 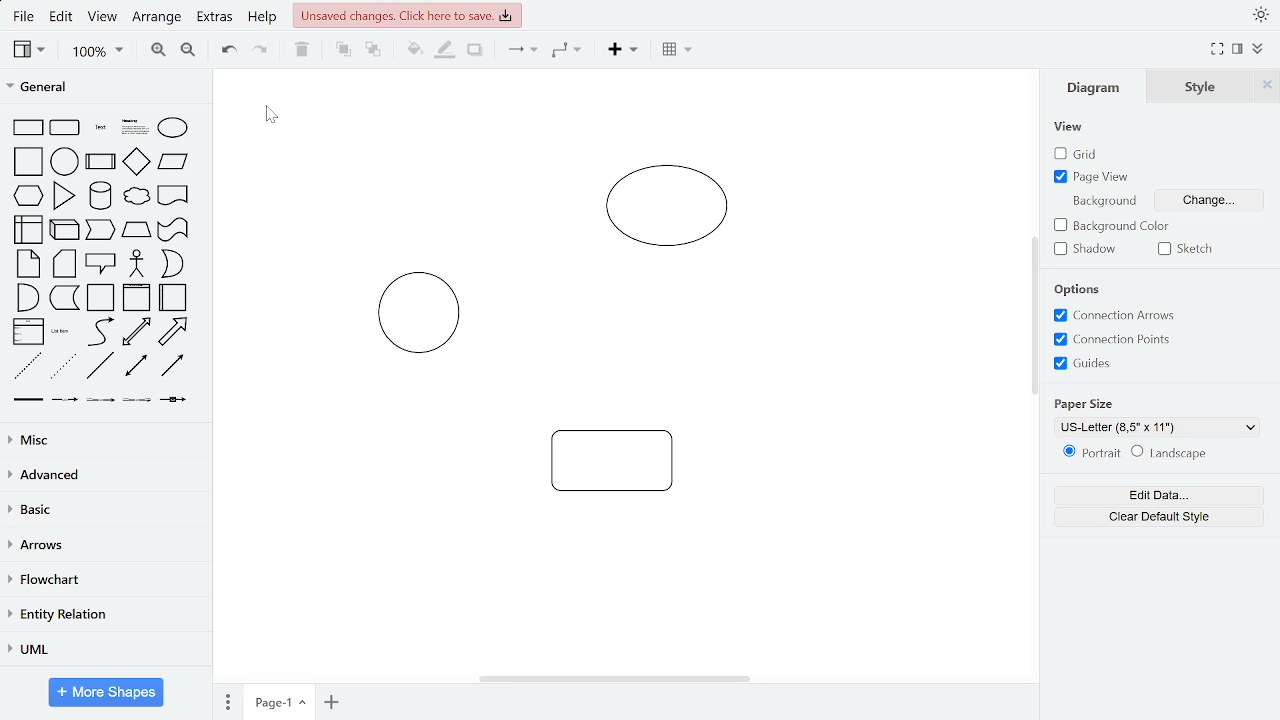 I want to click on clear default style, so click(x=1158, y=515).